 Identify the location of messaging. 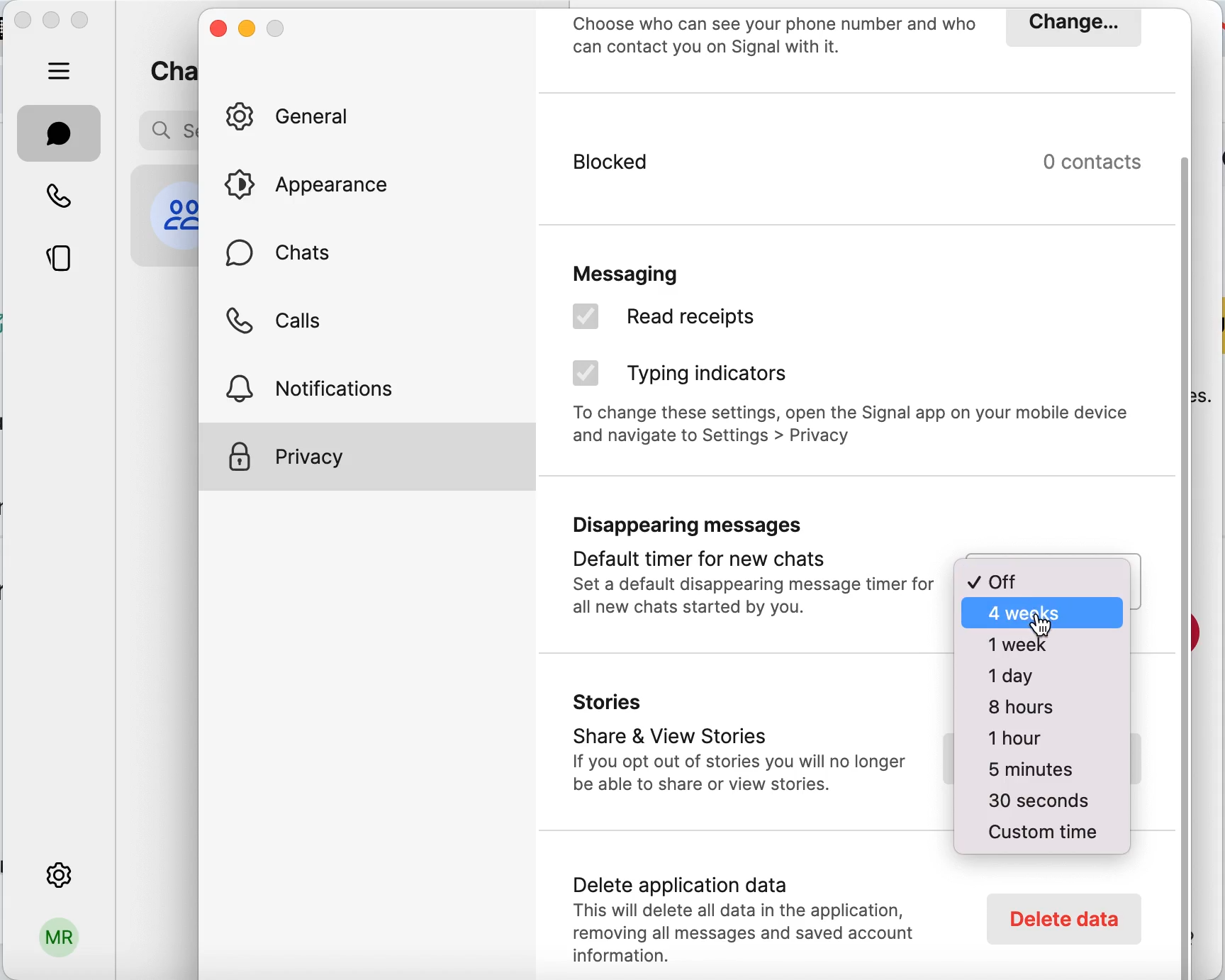
(670, 269).